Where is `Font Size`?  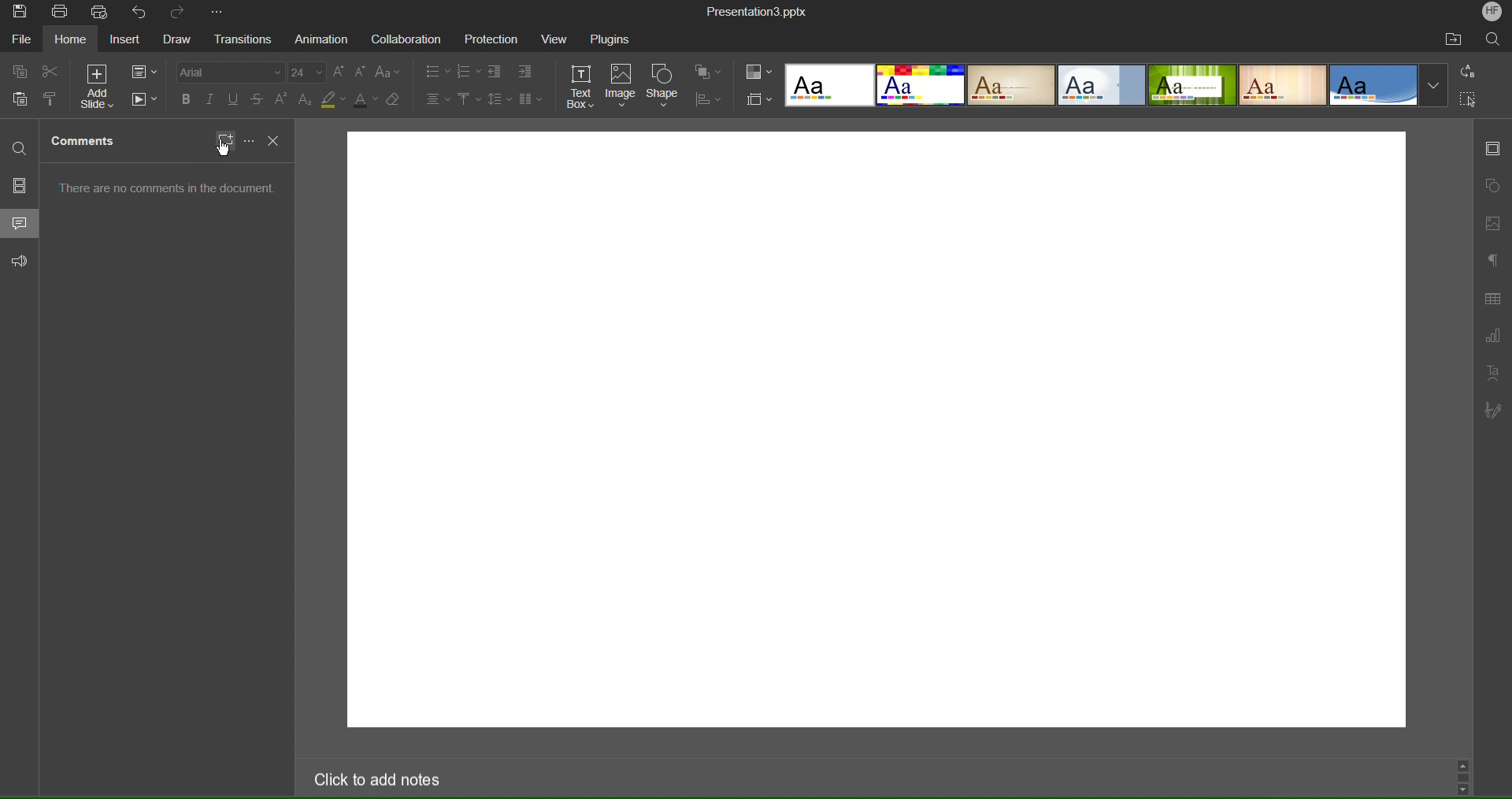 Font Size is located at coordinates (308, 73).